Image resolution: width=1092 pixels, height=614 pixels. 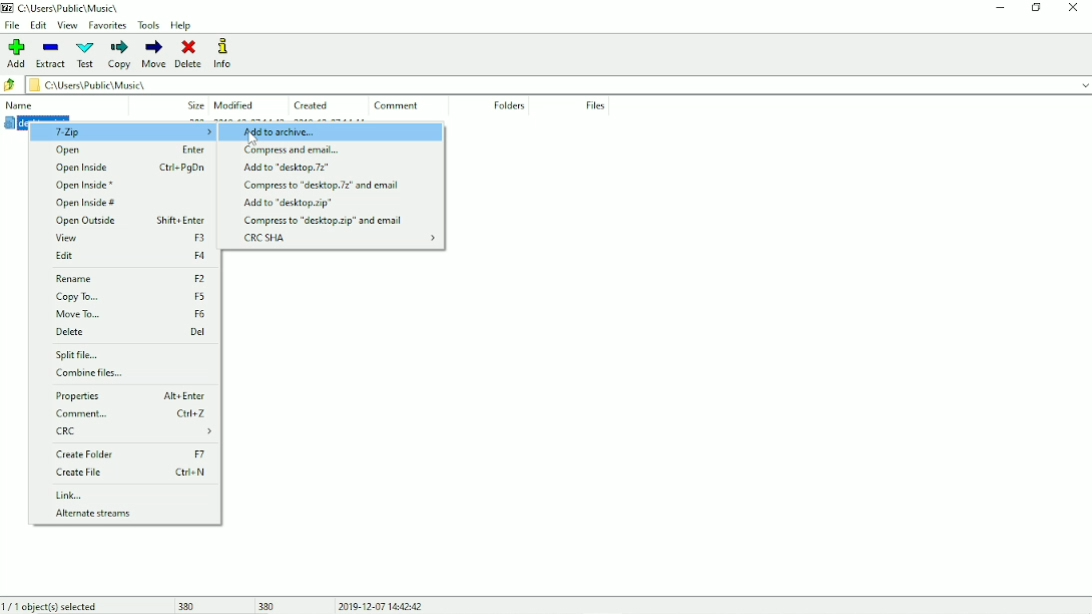 What do you see at coordinates (290, 167) in the screenshot?
I see `Add to "desktop.7z"` at bounding box center [290, 167].